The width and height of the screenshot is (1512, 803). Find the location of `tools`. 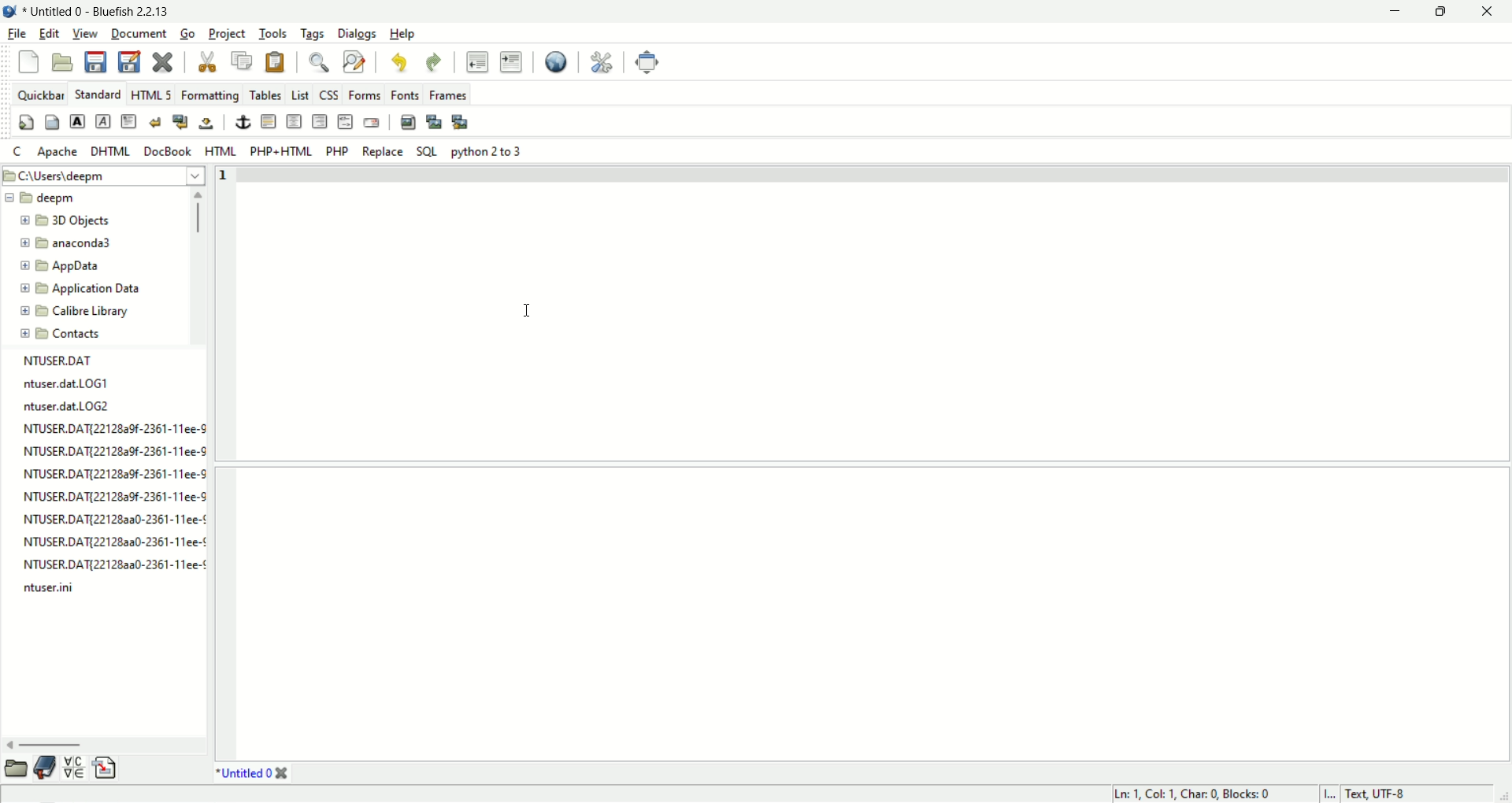

tools is located at coordinates (272, 34).